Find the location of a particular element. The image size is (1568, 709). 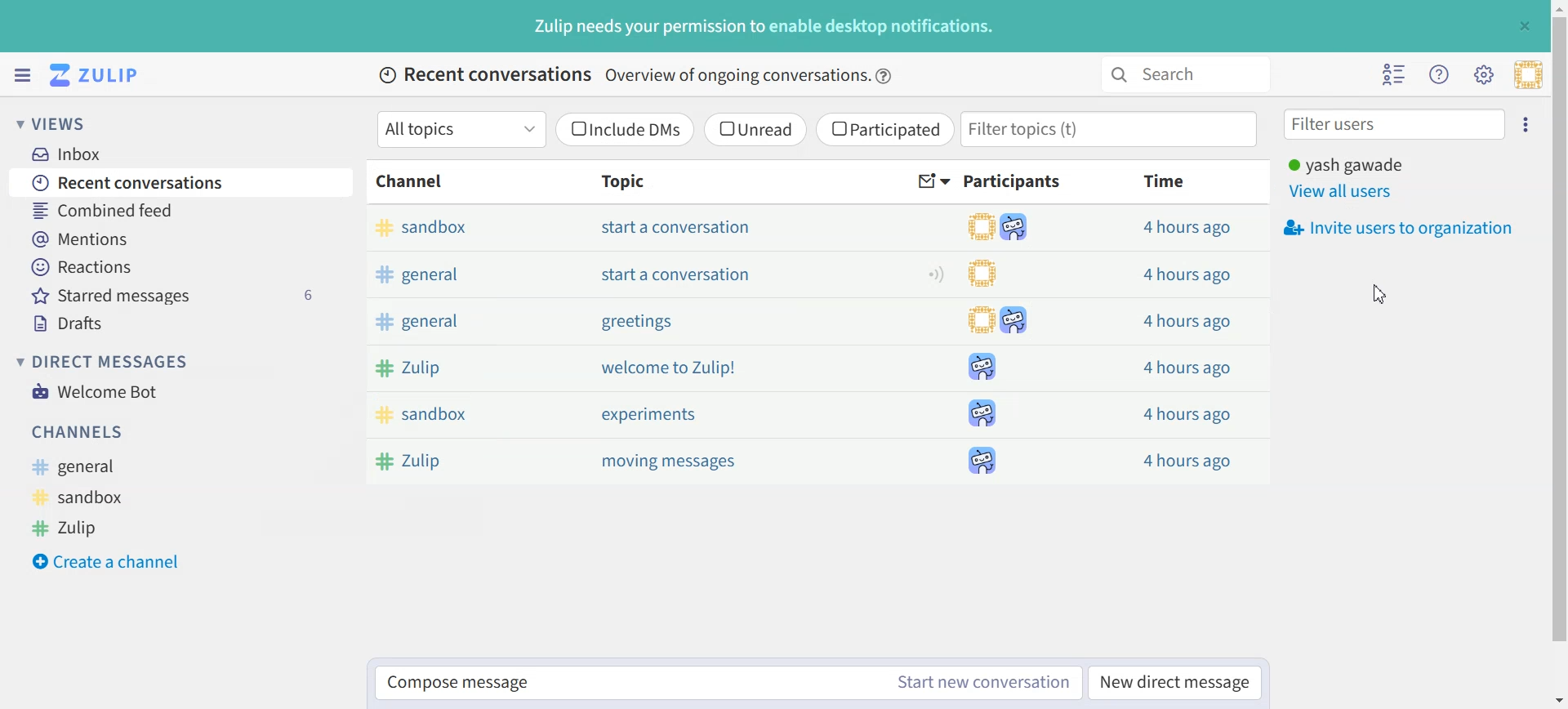

Configure topic notification is located at coordinates (936, 274).